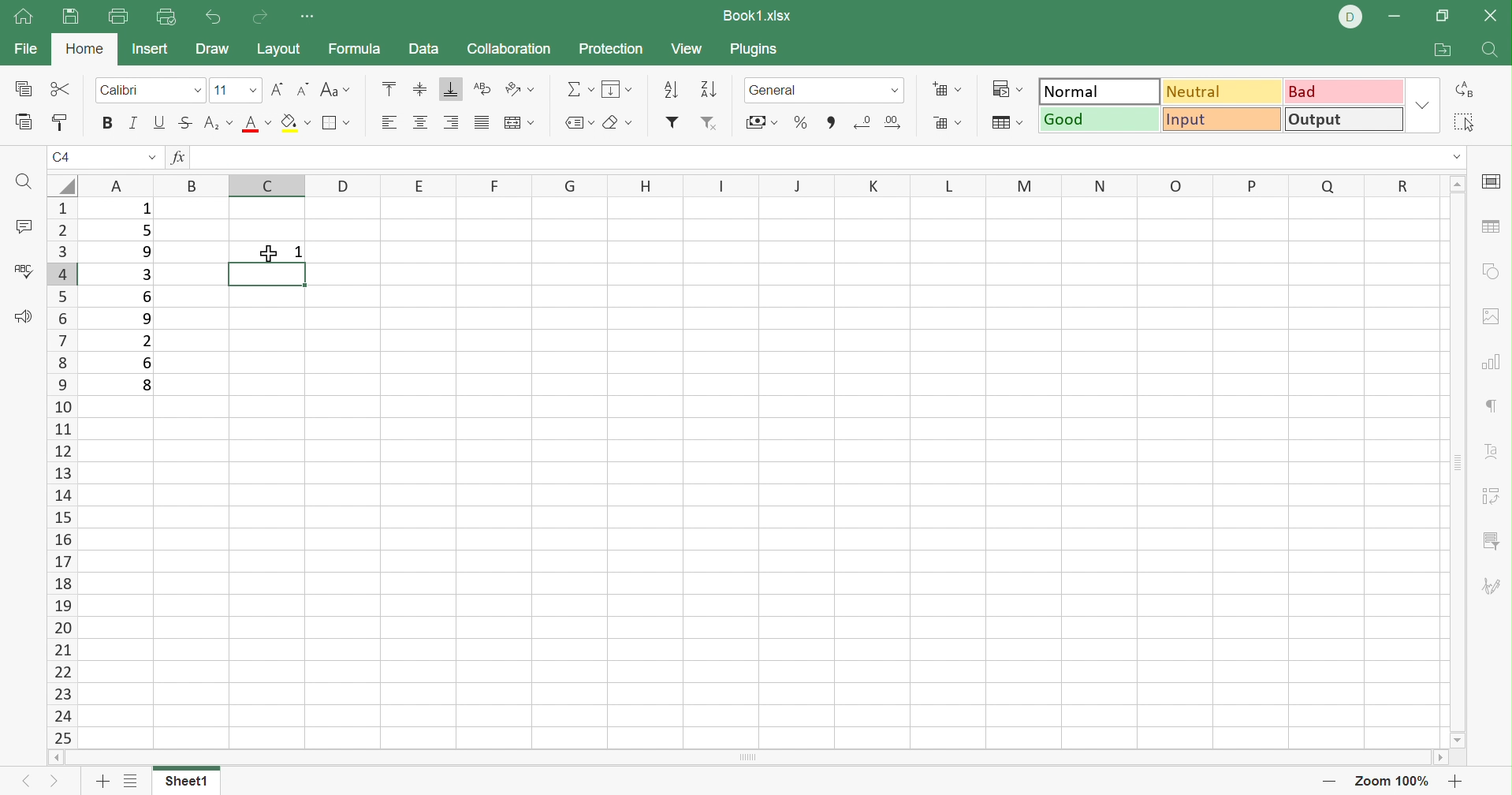 The height and width of the screenshot is (795, 1512). What do you see at coordinates (948, 123) in the screenshot?
I see `Delete cells` at bounding box center [948, 123].